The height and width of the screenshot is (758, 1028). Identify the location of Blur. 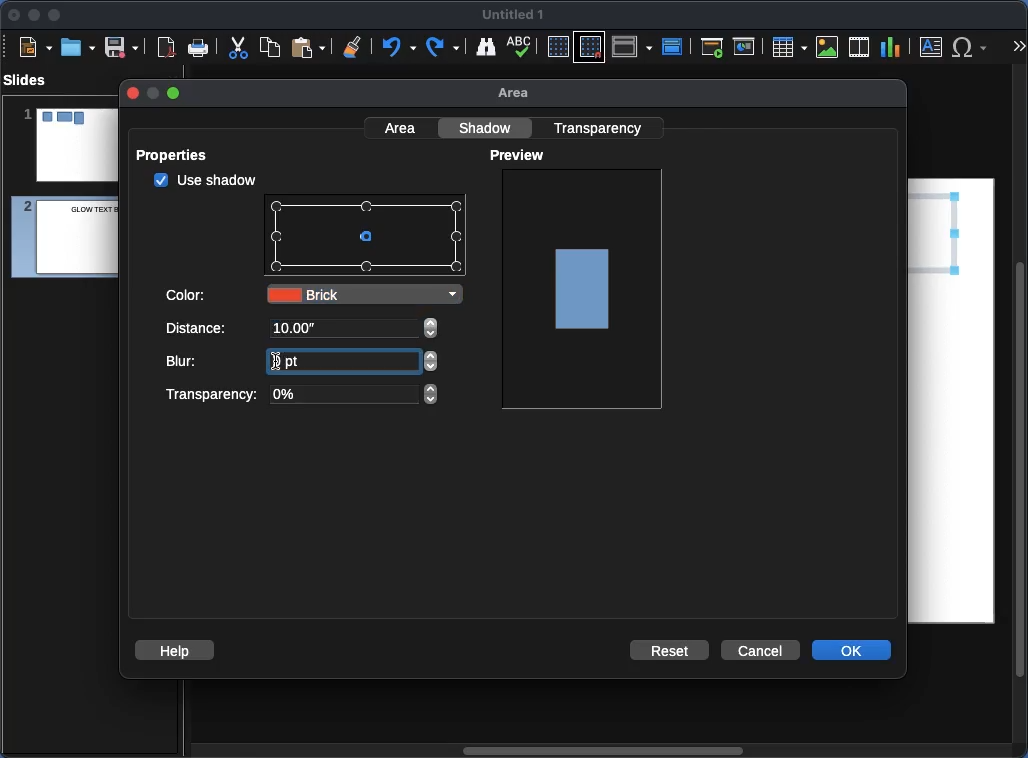
(303, 363).